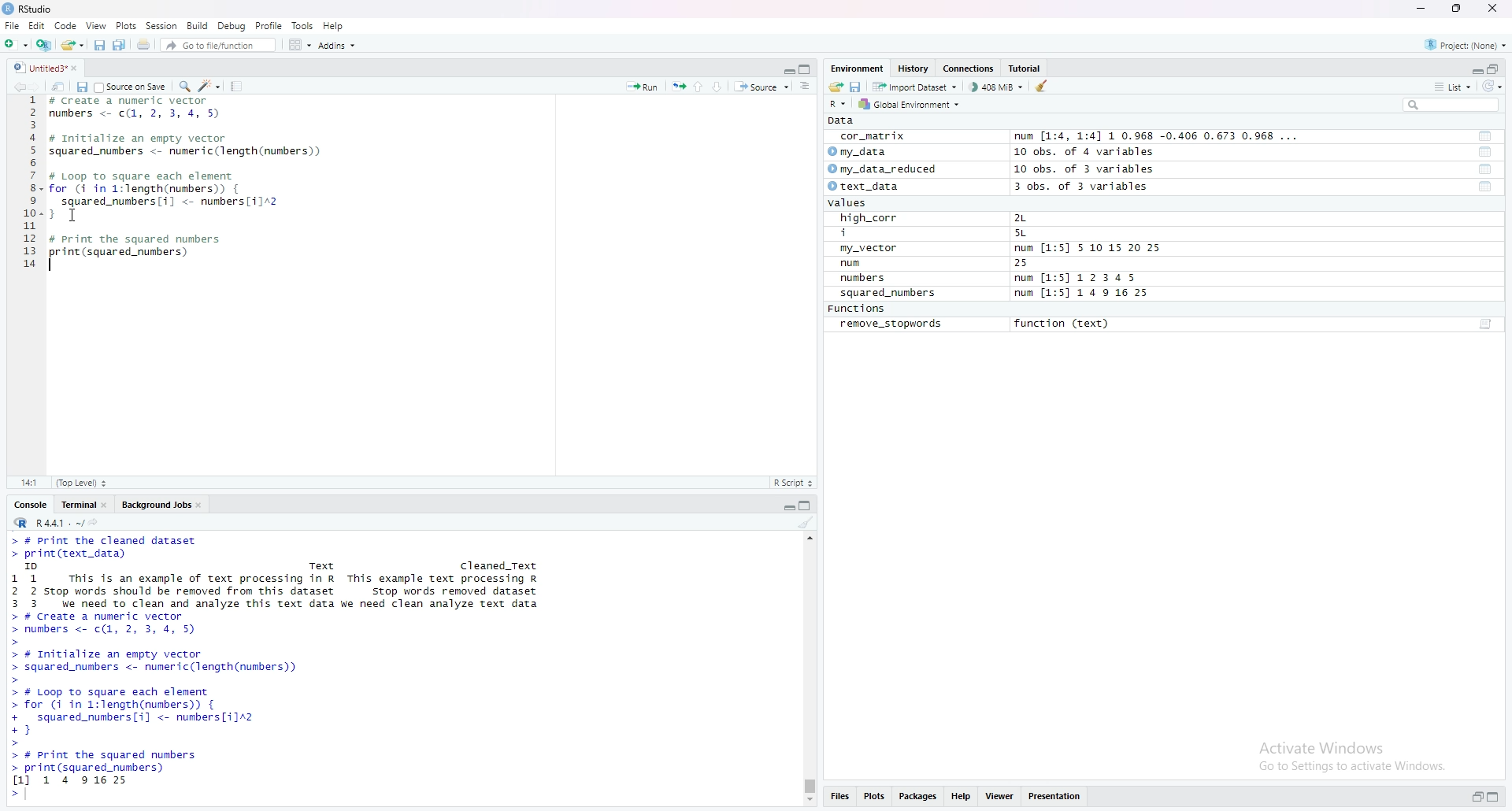 This screenshot has height=811, width=1512. I want to click on Connections, so click(970, 69).